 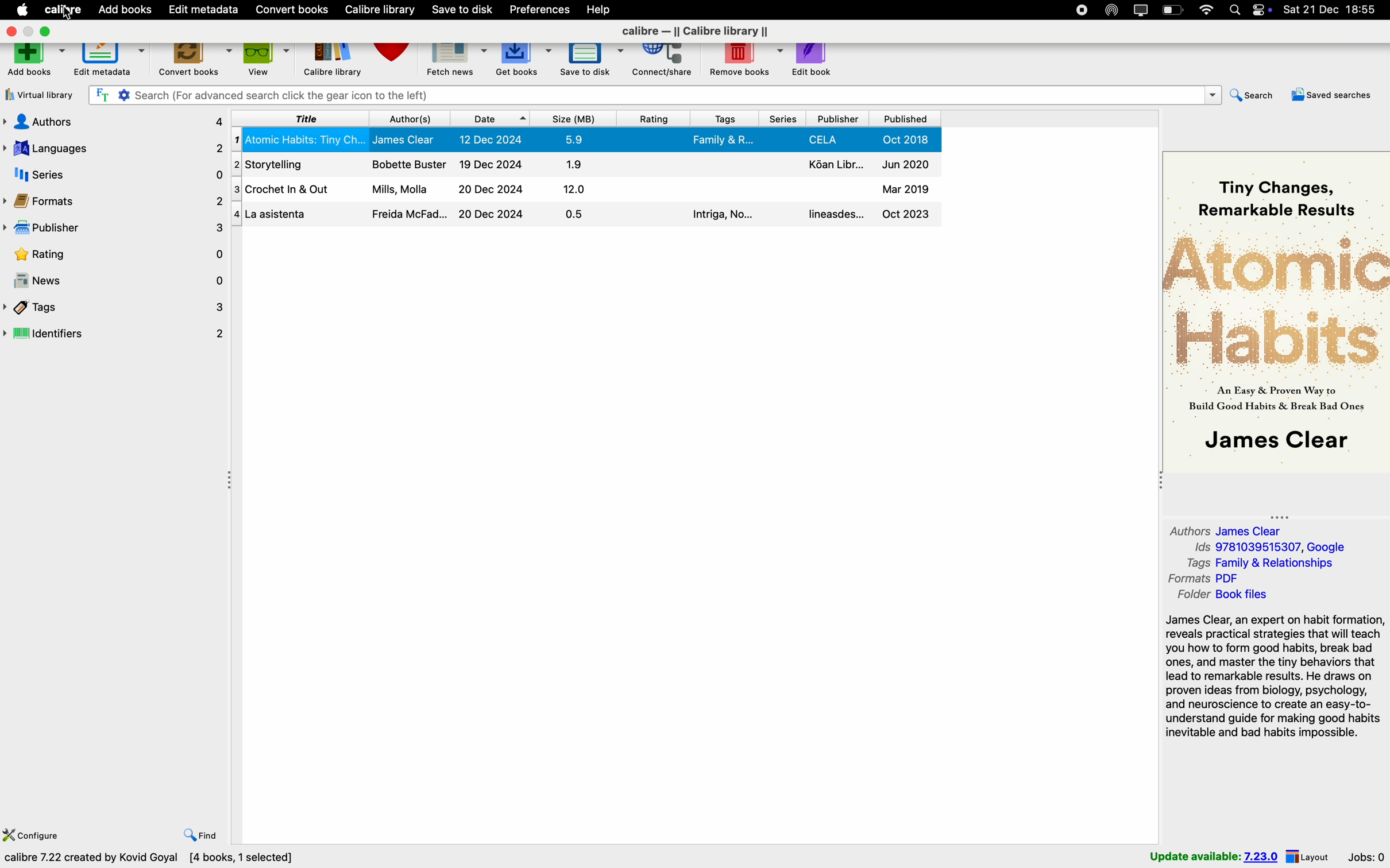 What do you see at coordinates (114, 230) in the screenshot?
I see `publisher` at bounding box center [114, 230].